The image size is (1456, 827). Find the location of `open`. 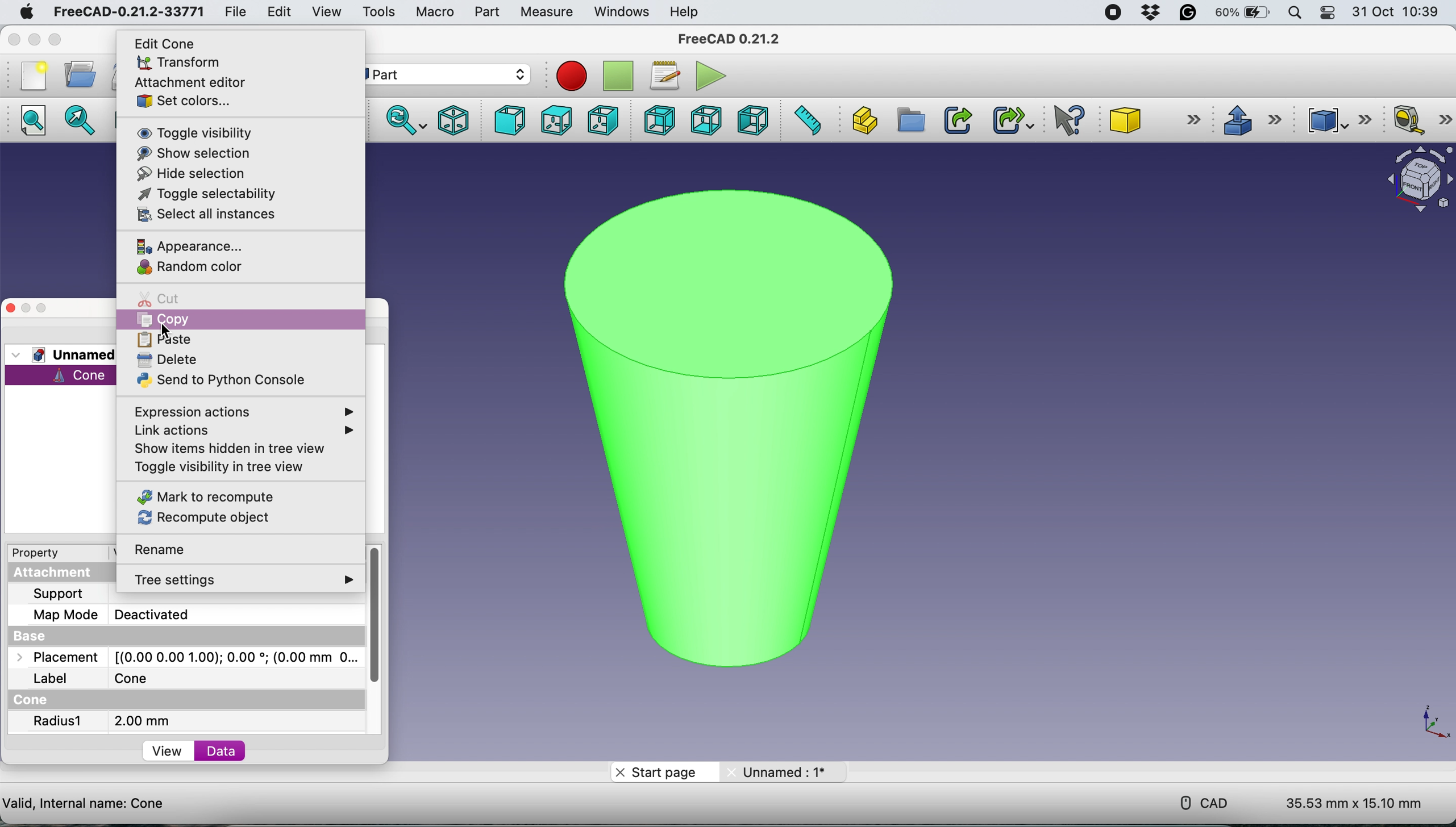

open is located at coordinates (77, 74).